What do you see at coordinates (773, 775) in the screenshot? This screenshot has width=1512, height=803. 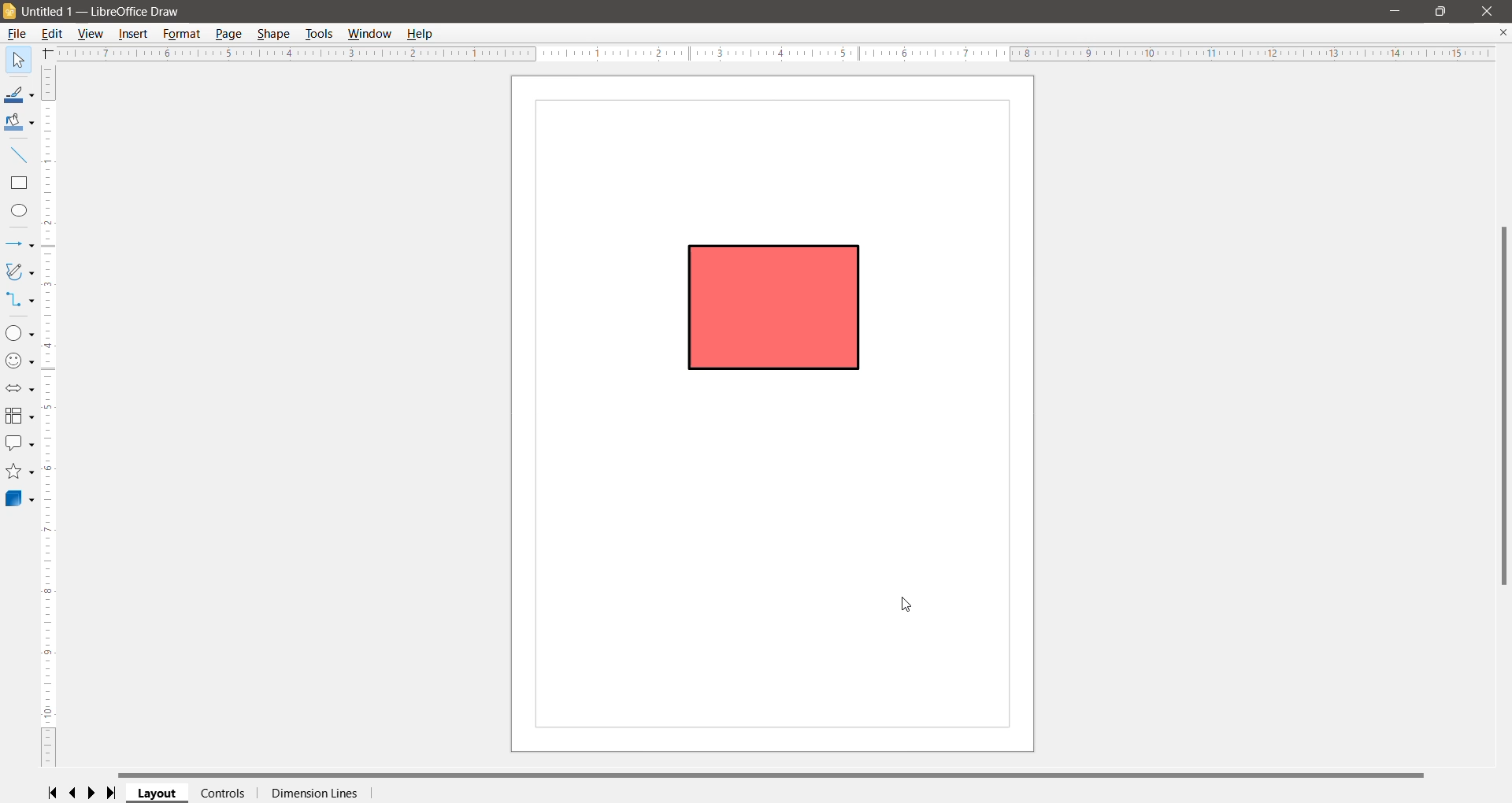 I see `Horizontal Scroll Bar` at bounding box center [773, 775].